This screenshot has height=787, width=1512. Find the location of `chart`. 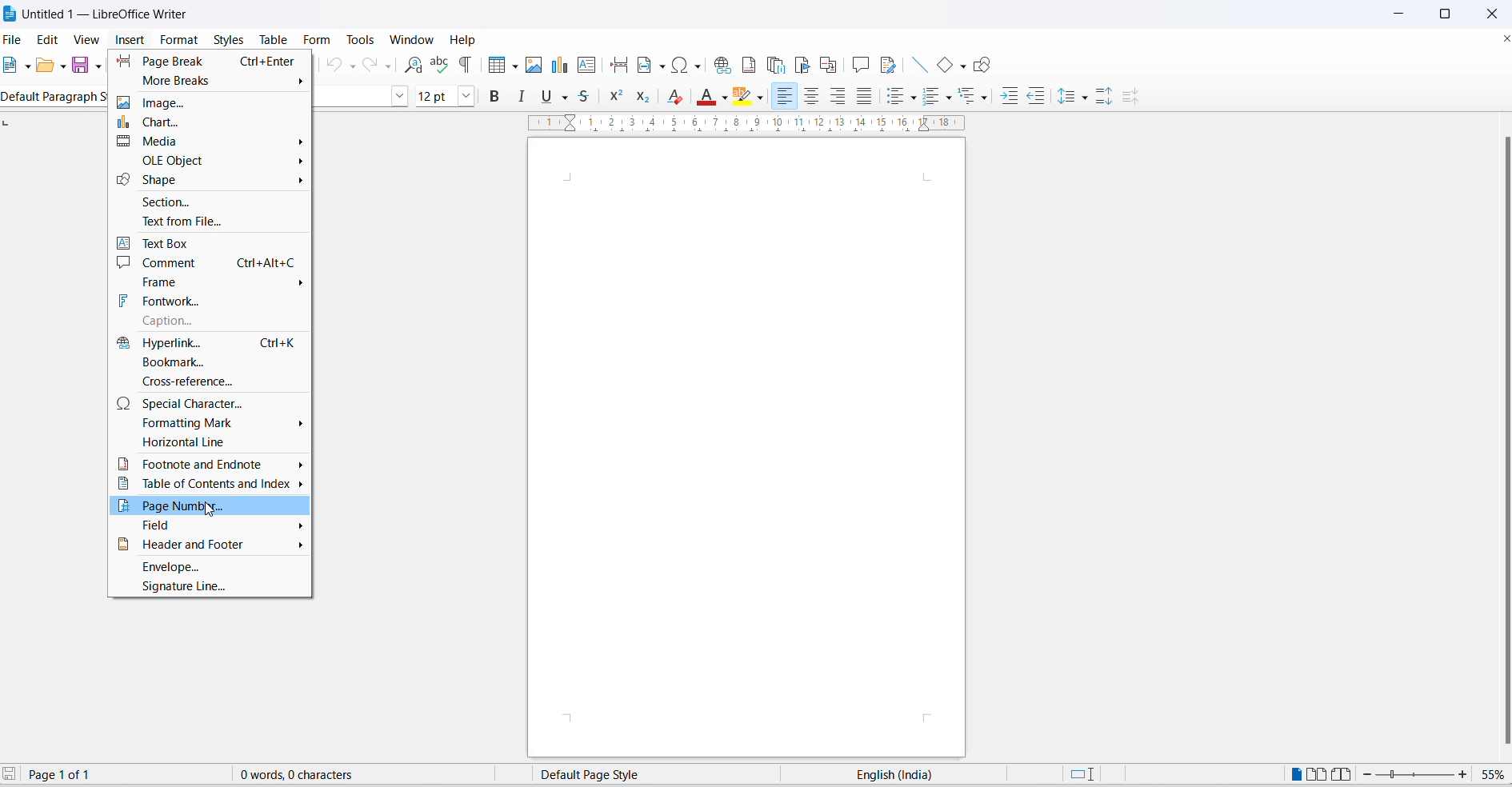

chart is located at coordinates (206, 122).